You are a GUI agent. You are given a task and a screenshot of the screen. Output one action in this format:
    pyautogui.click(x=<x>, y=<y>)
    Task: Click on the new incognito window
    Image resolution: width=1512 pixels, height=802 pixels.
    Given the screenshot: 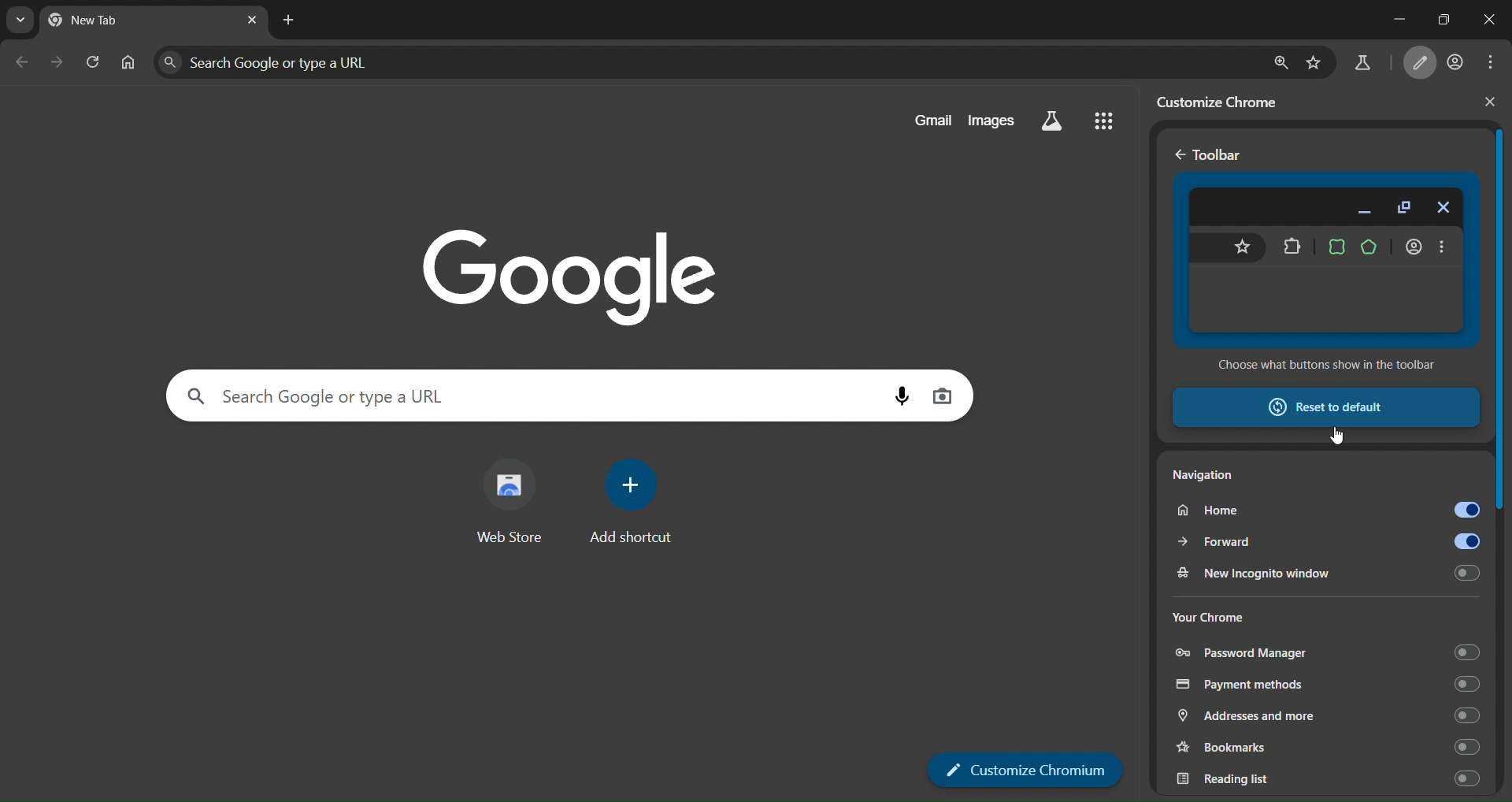 What is the action you would take?
    pyautogui.click(x=1325, y=573)
    